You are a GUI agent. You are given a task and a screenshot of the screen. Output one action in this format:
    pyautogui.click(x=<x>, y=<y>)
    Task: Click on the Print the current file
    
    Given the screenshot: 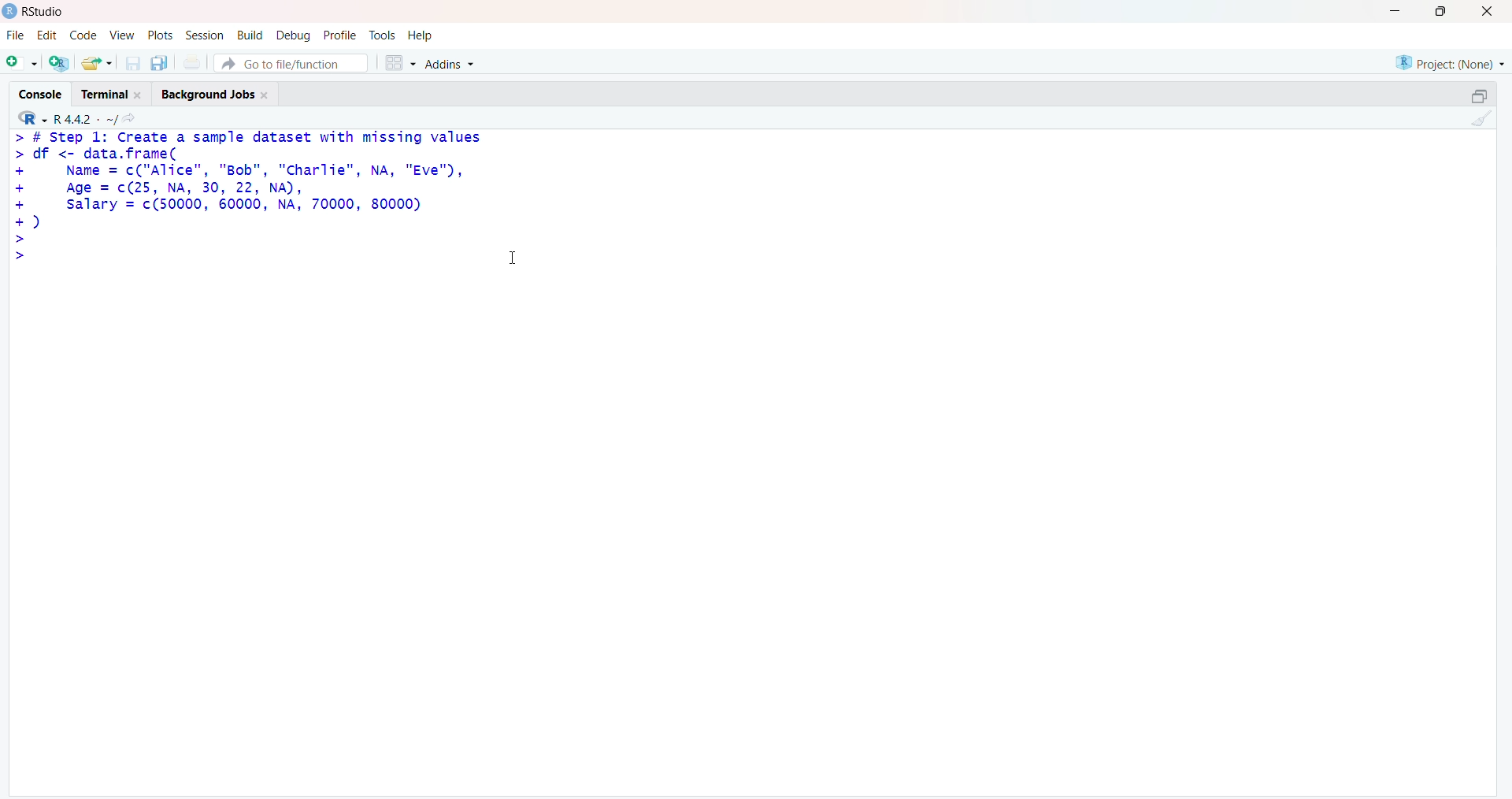 What is the action you would take?
    pyautogui.click(x=194, y=61)
    